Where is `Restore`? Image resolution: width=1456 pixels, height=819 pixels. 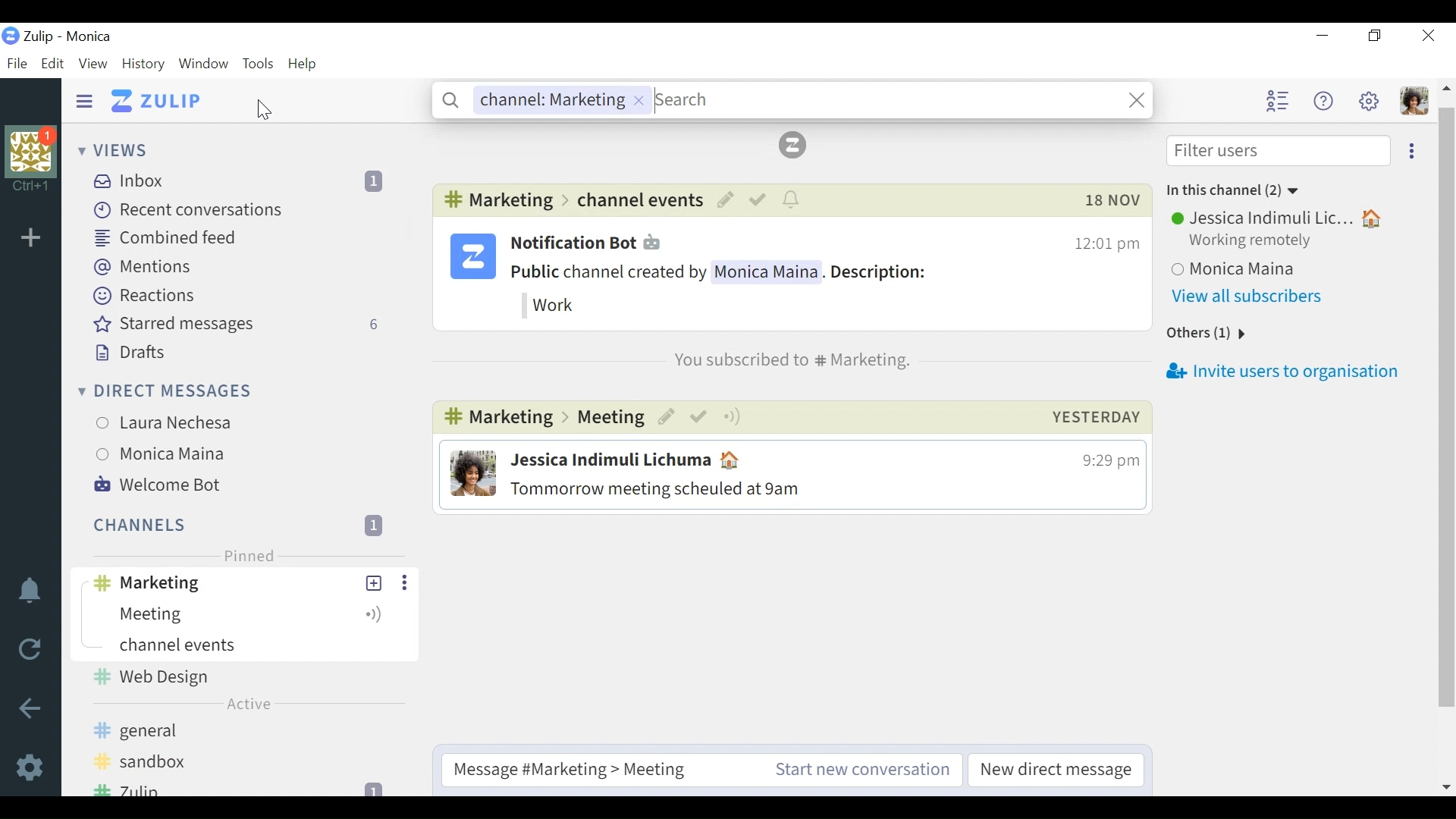 Restore is located at coordinates (1375, 36).